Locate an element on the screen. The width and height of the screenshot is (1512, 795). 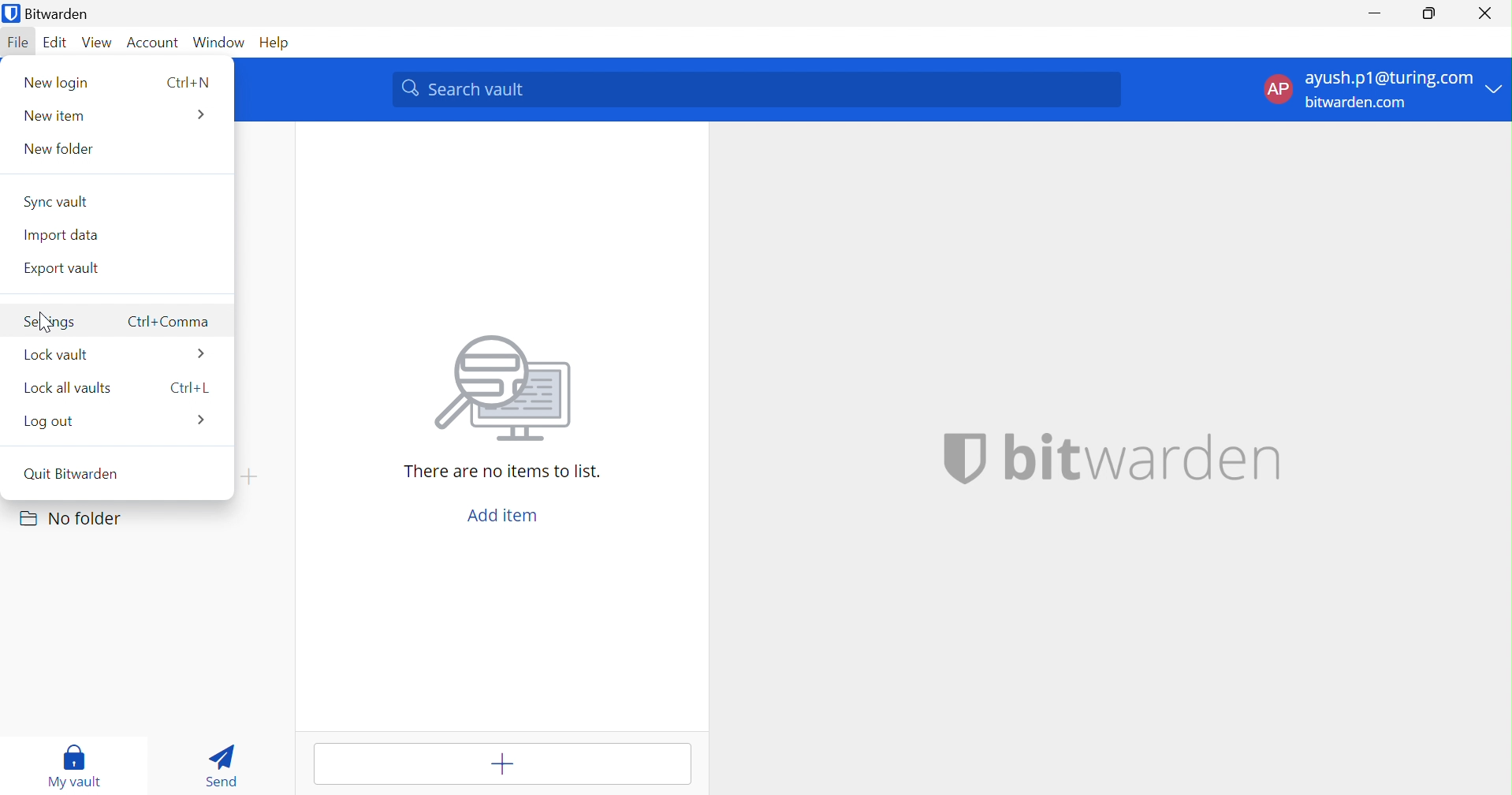
Edit is located at coordinates (55, 43).